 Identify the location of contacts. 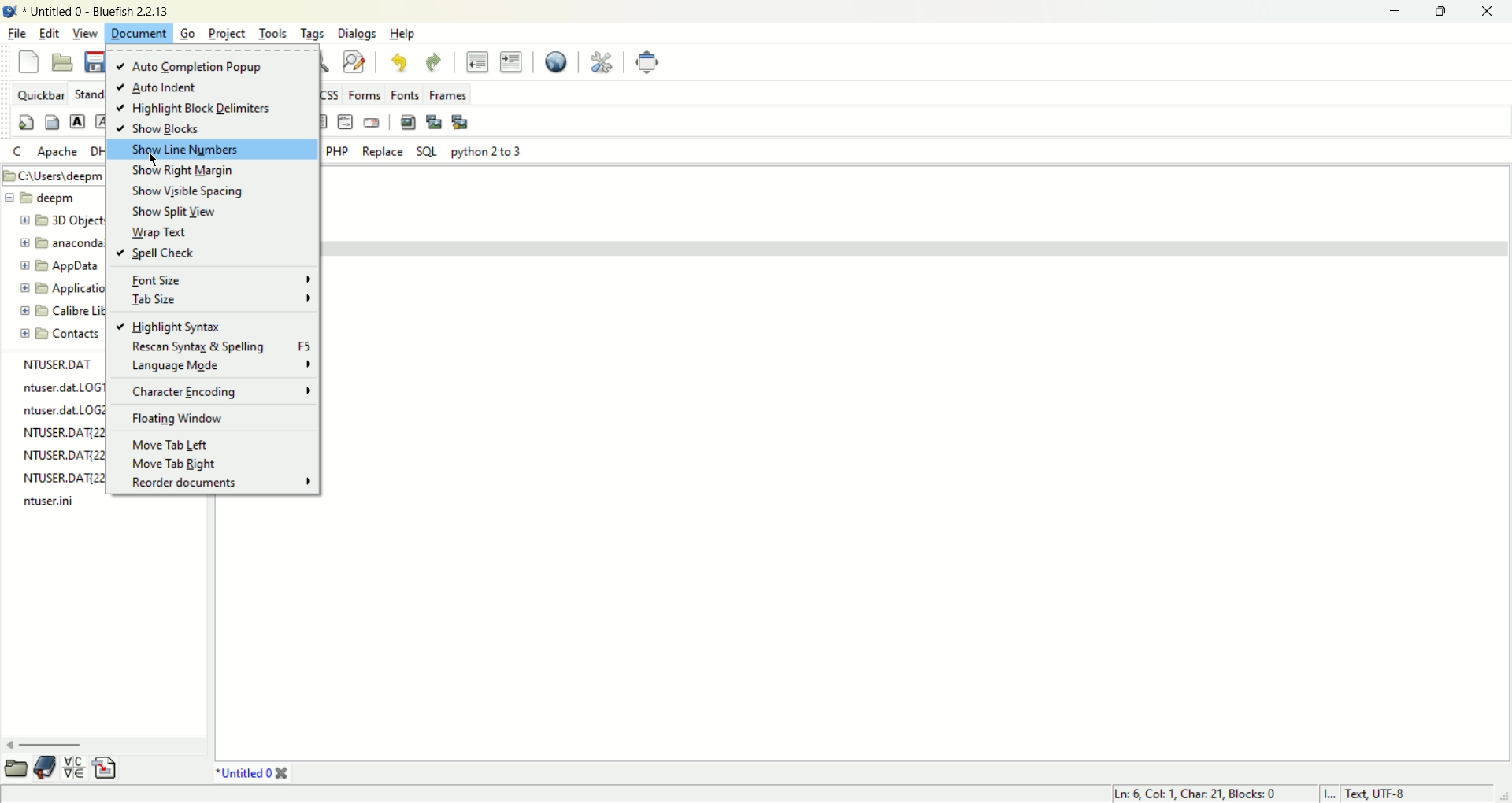
(61, 335).